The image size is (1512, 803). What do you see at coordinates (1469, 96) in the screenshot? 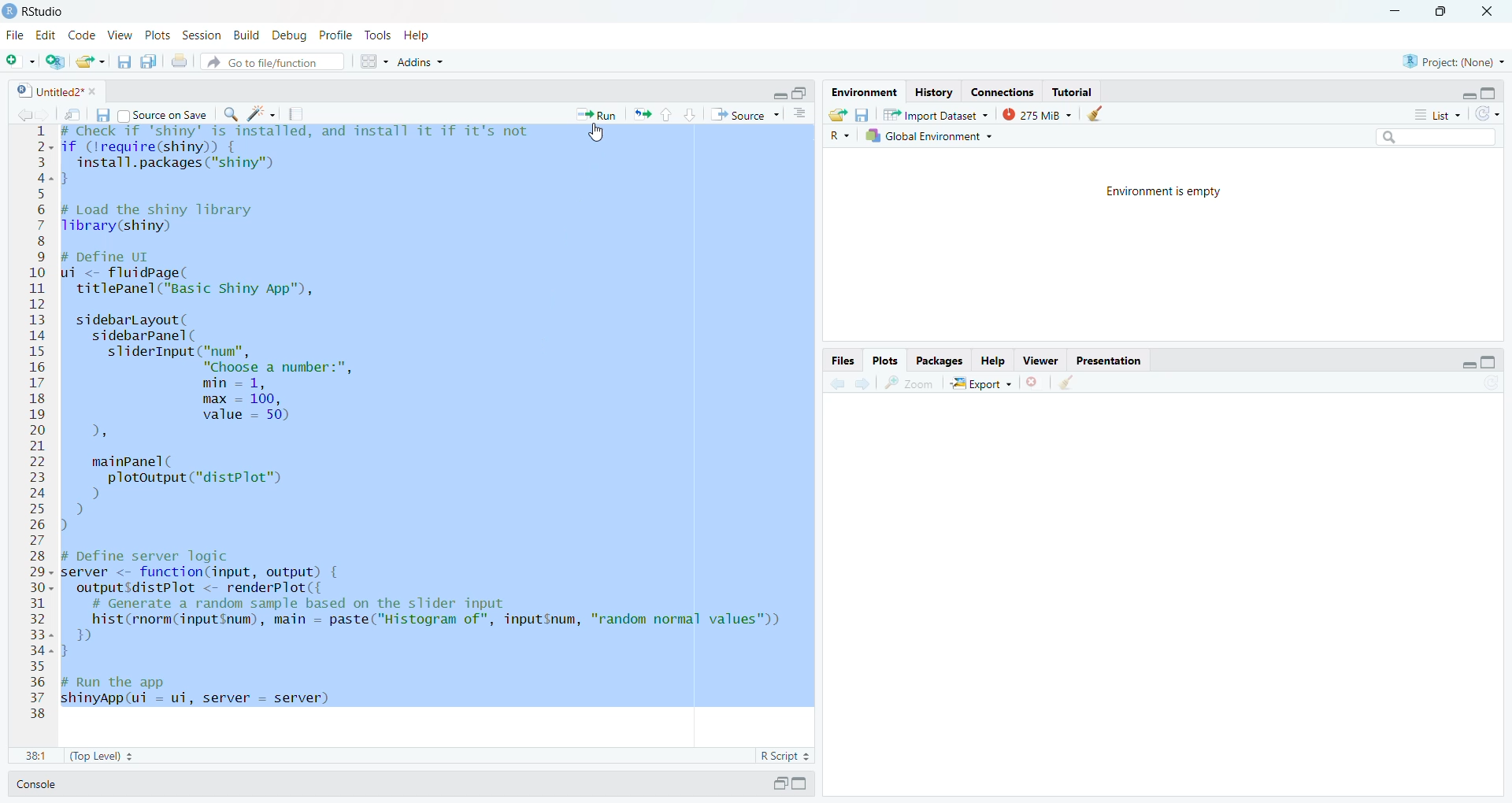
I see `minimize` at bounding box center [1469, 96].